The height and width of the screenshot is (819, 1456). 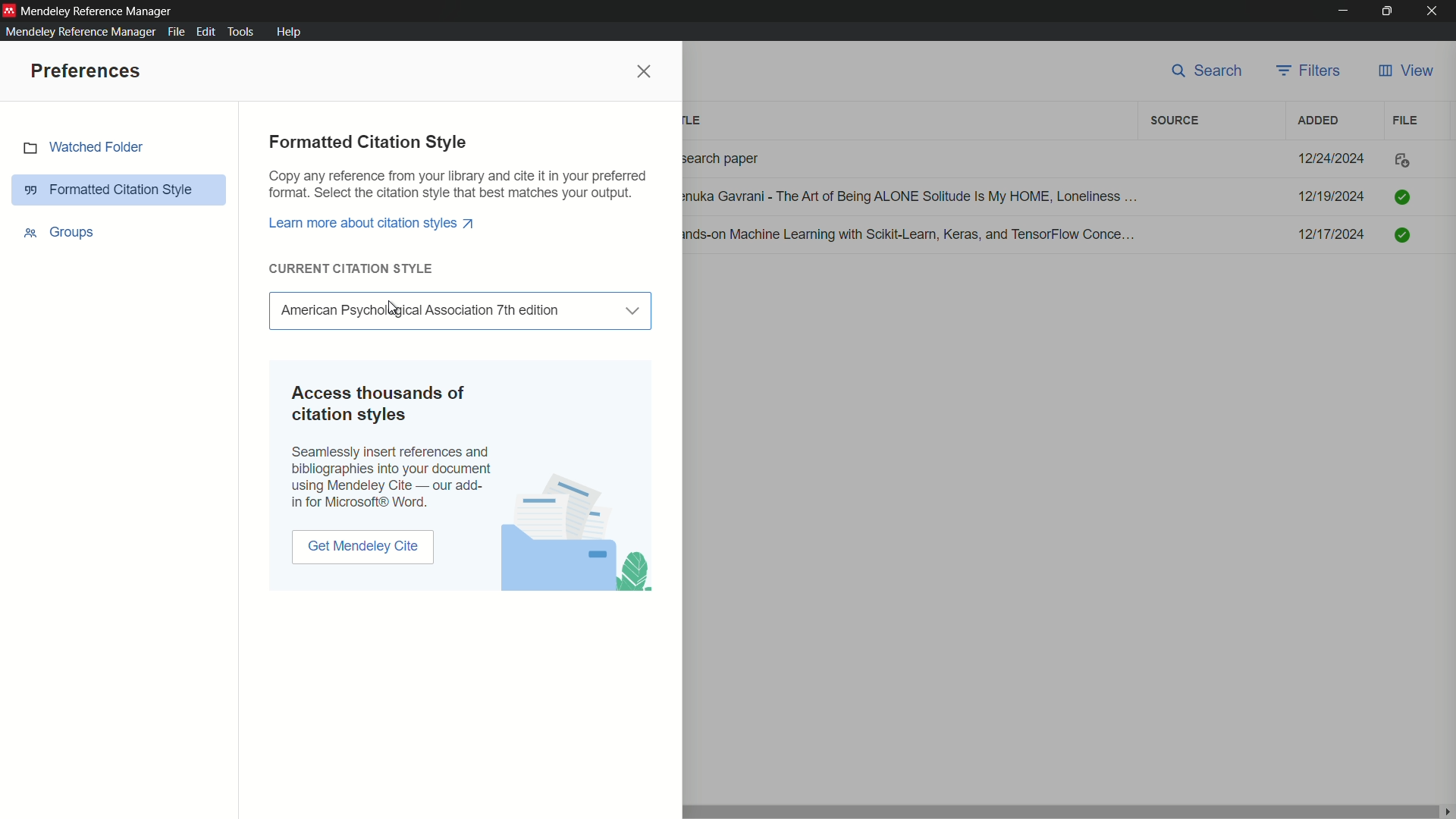 What do you see at coordinates (1436, 11) in the screenshot?
I see `close app` at bounding box center [1436, 11].